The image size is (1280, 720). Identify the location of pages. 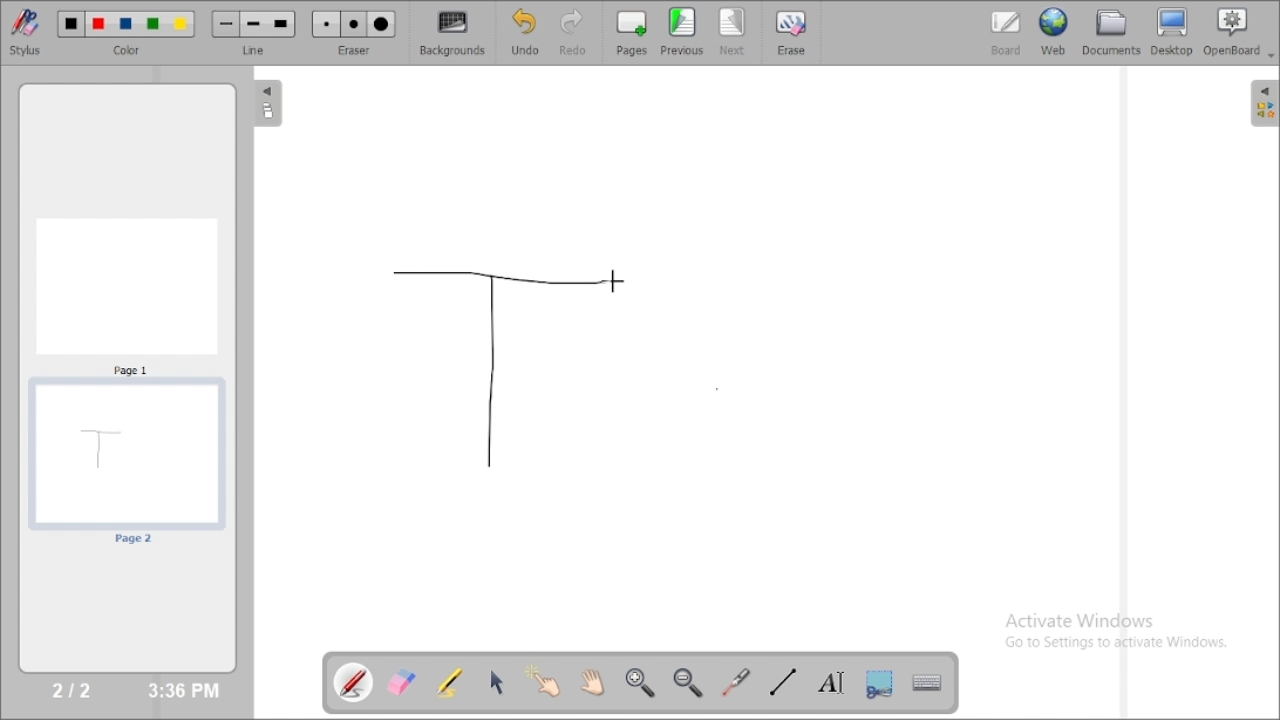
(632, 32).